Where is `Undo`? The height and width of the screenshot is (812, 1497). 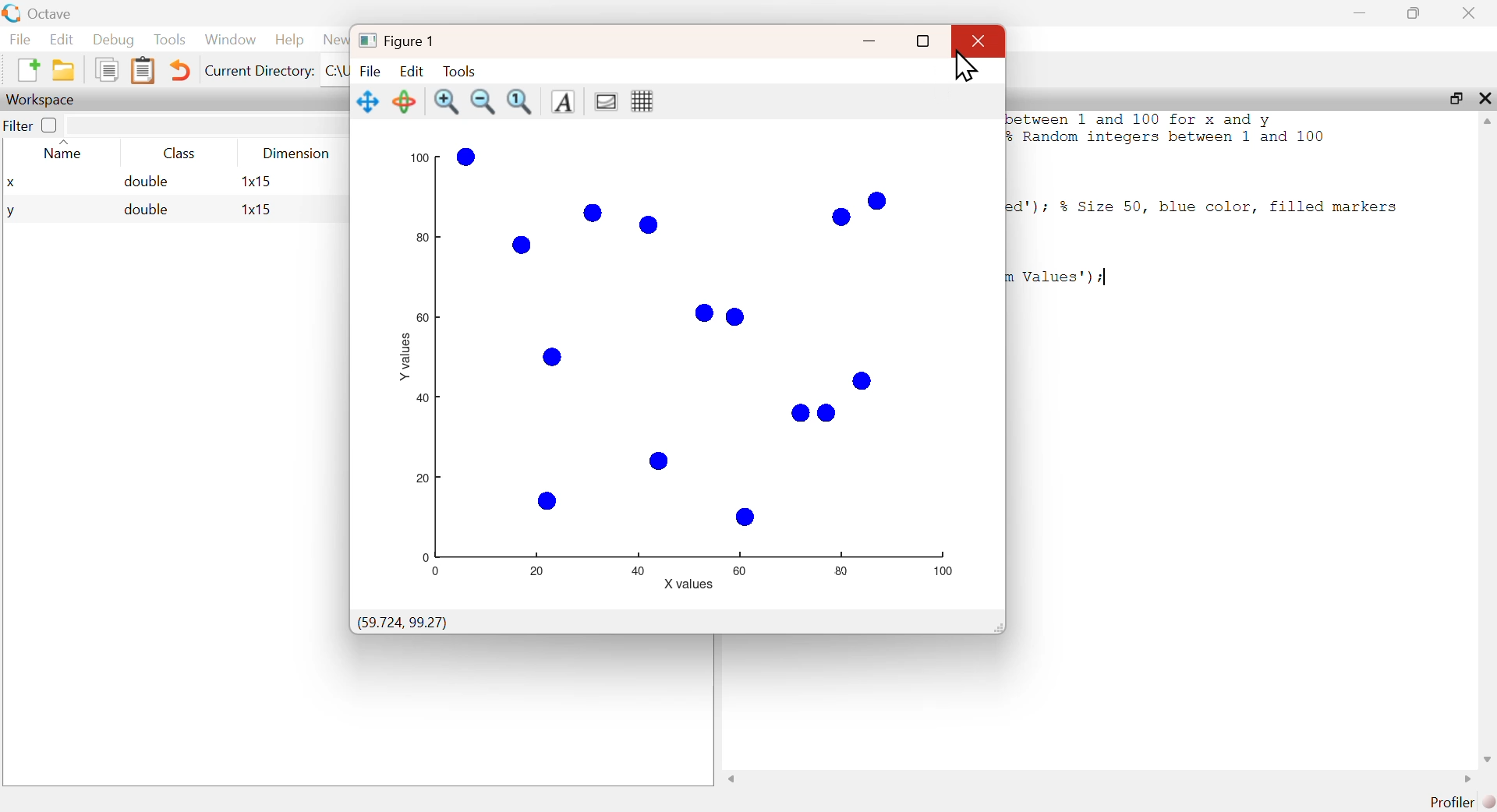
Undo is located at coordinates (179, 70).